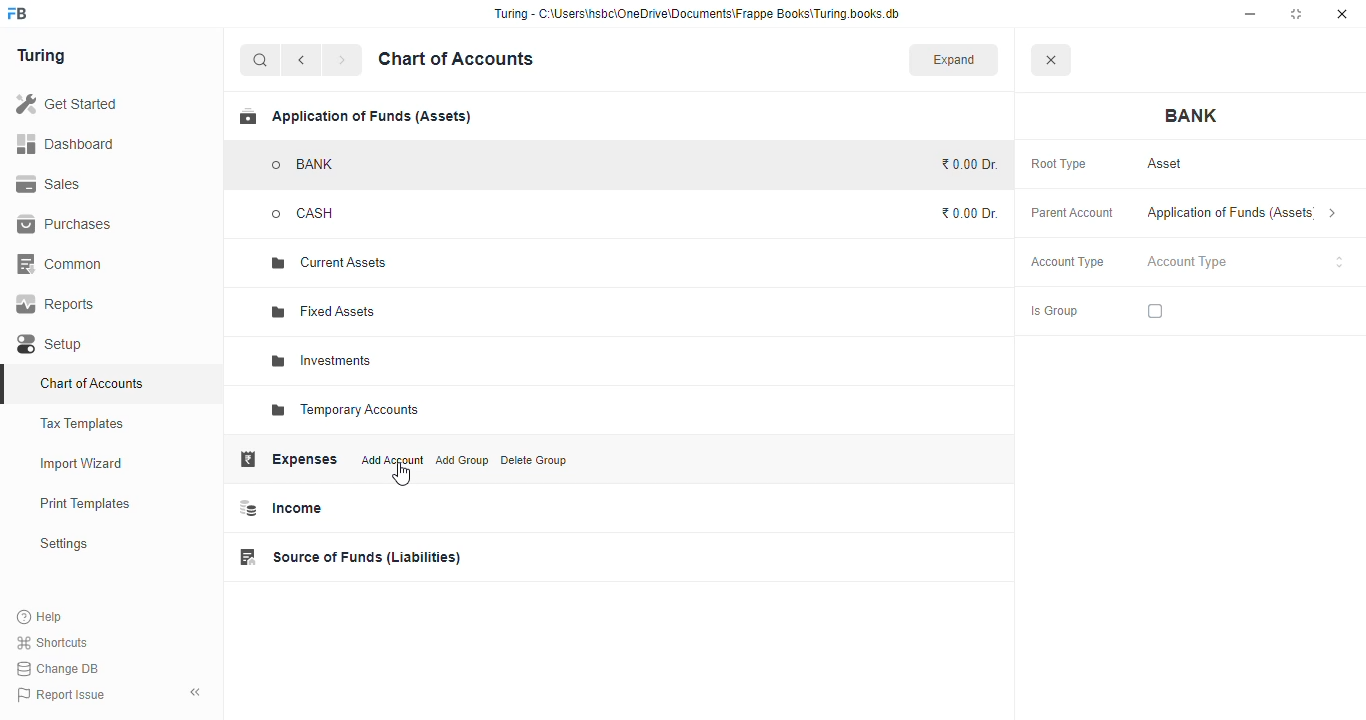 The width and height of the screenshot is (1366, 720). Describe the element at coordinates (401, 475) in the screenshot. I see `cursor` at that location.